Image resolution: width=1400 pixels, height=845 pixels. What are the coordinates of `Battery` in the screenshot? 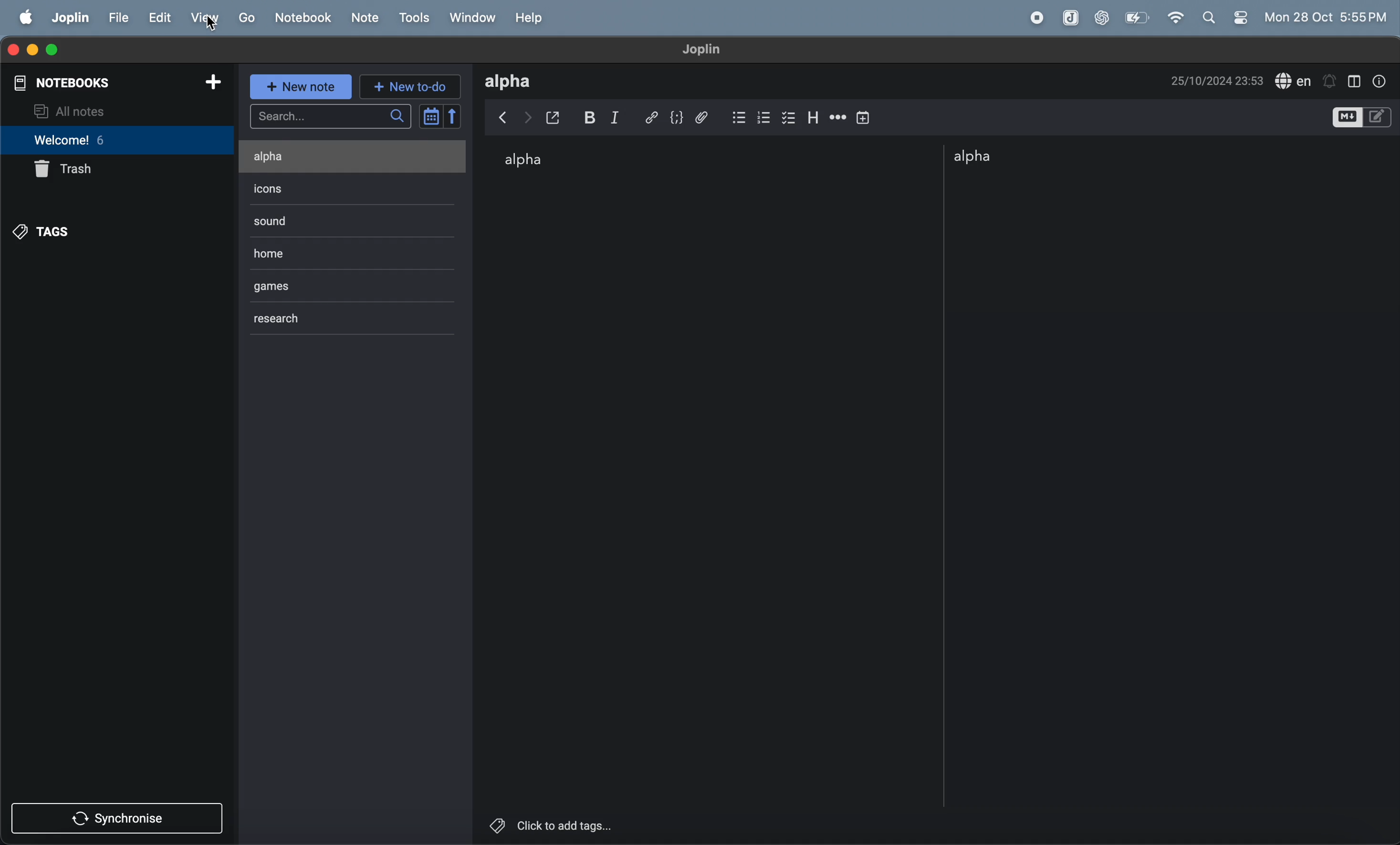 It's located at (1137, 17).